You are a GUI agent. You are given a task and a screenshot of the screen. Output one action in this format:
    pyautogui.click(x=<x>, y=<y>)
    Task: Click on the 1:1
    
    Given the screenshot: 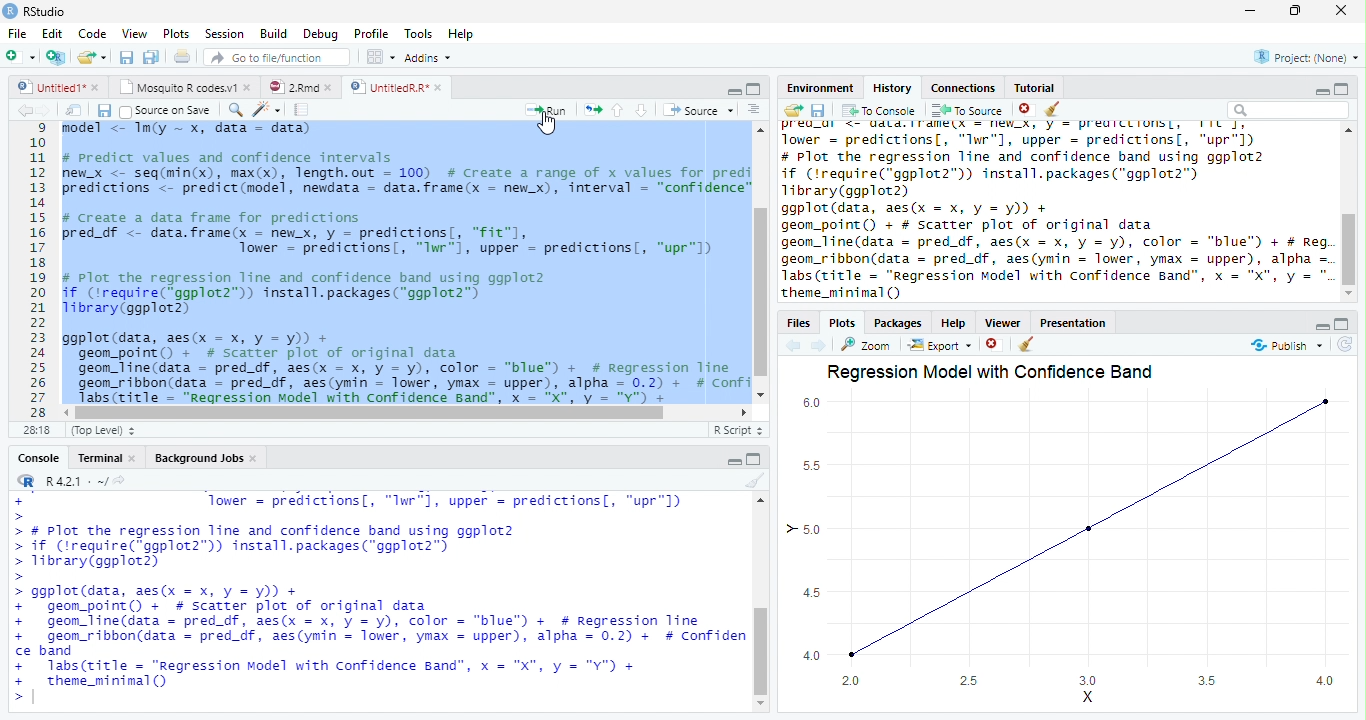 What is the action you would take?
    pyautogui.click(x=32, y=433)
    